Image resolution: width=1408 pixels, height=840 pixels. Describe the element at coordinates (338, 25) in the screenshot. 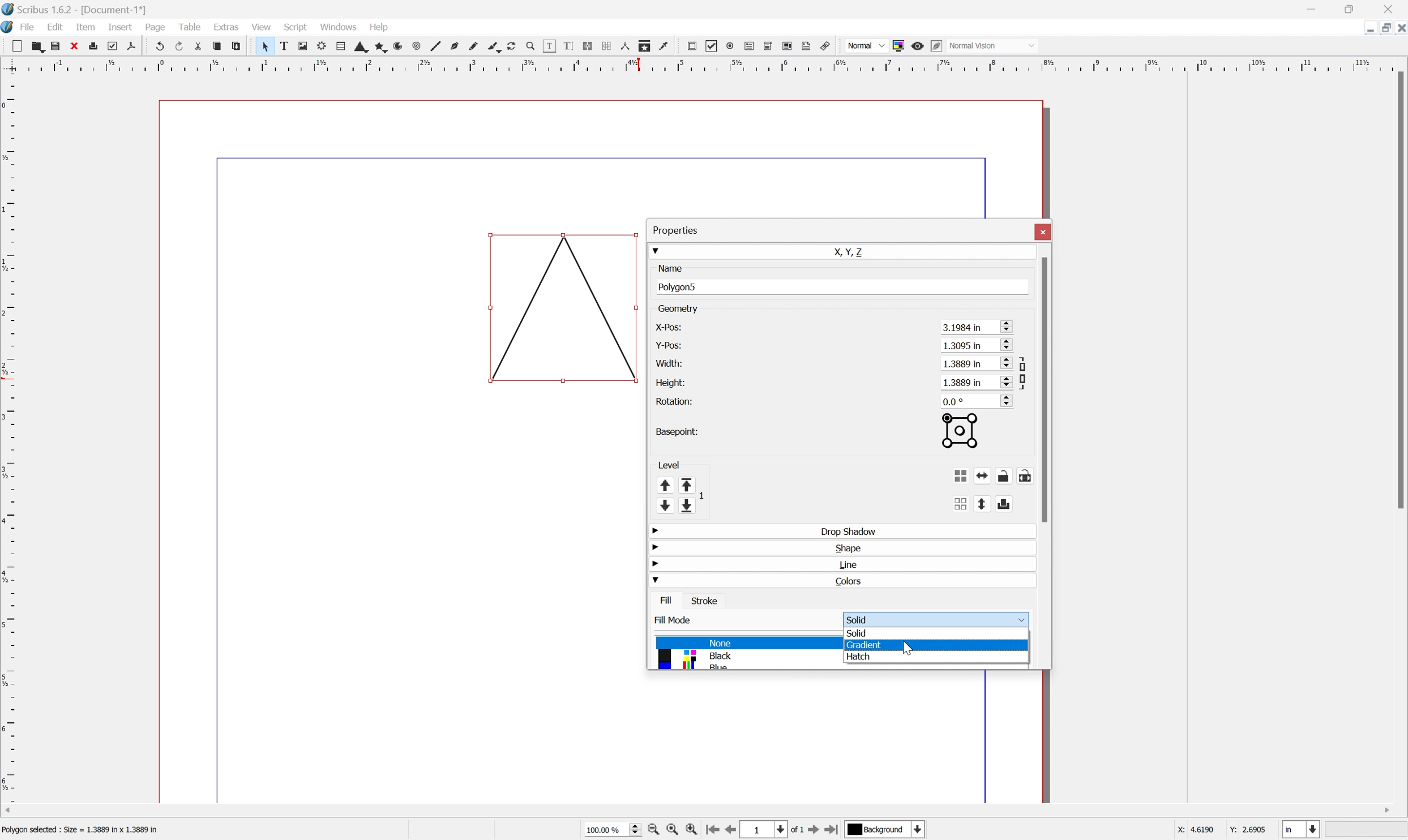

I see `Windows` at that location.